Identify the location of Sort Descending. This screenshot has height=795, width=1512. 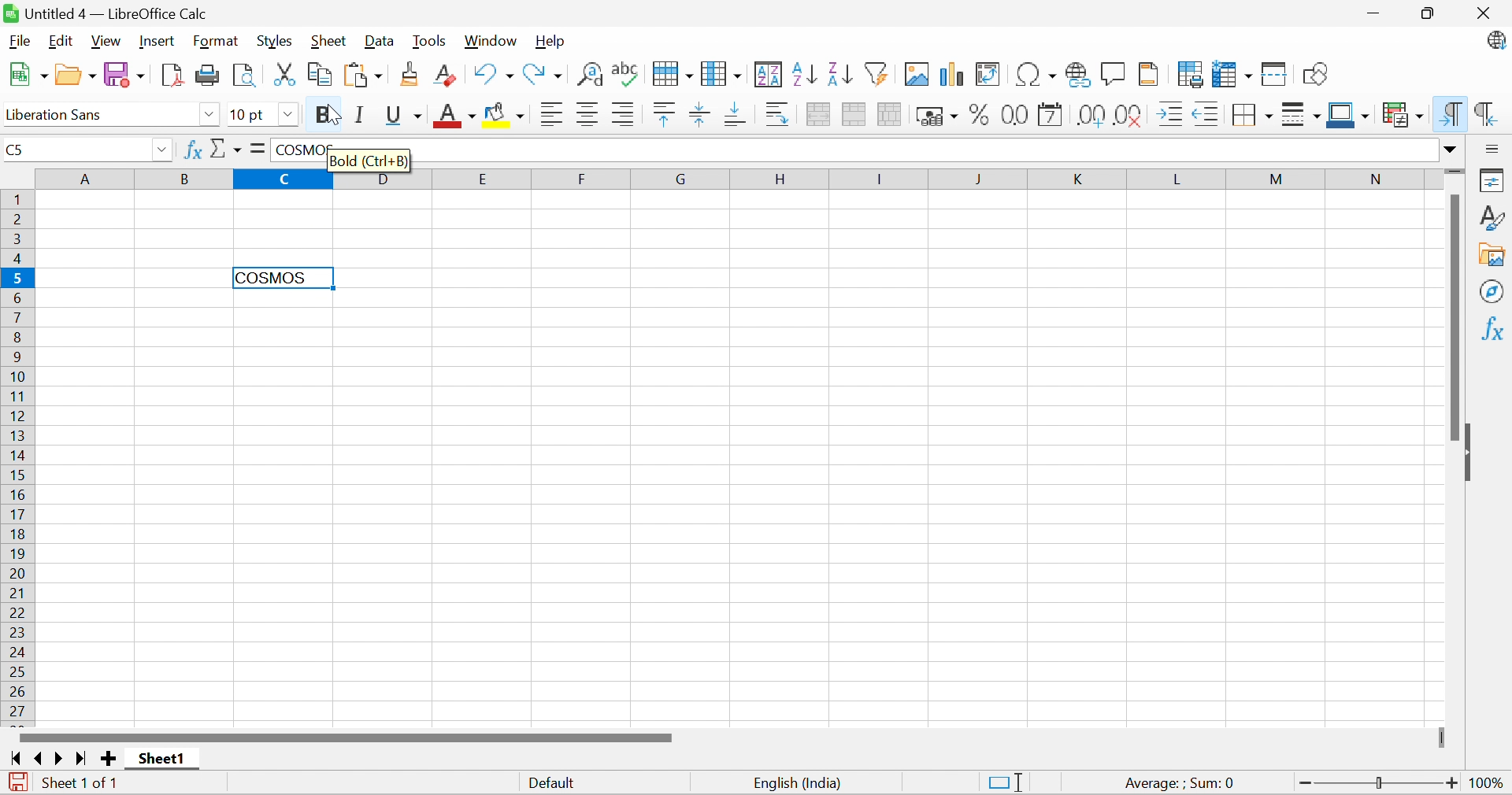
(838, 72).